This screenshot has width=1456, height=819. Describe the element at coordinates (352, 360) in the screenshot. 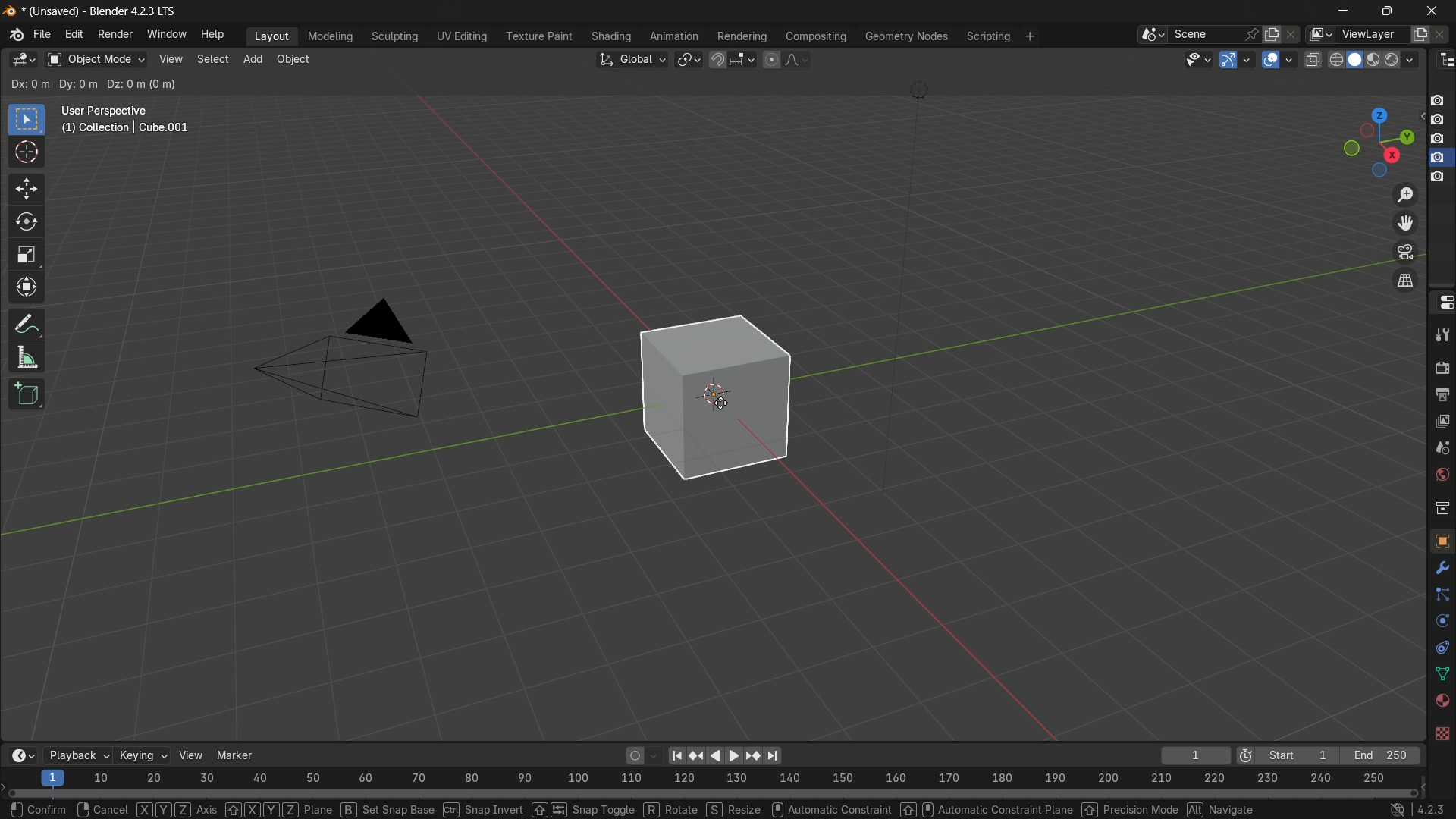

I see `camera` at that location.